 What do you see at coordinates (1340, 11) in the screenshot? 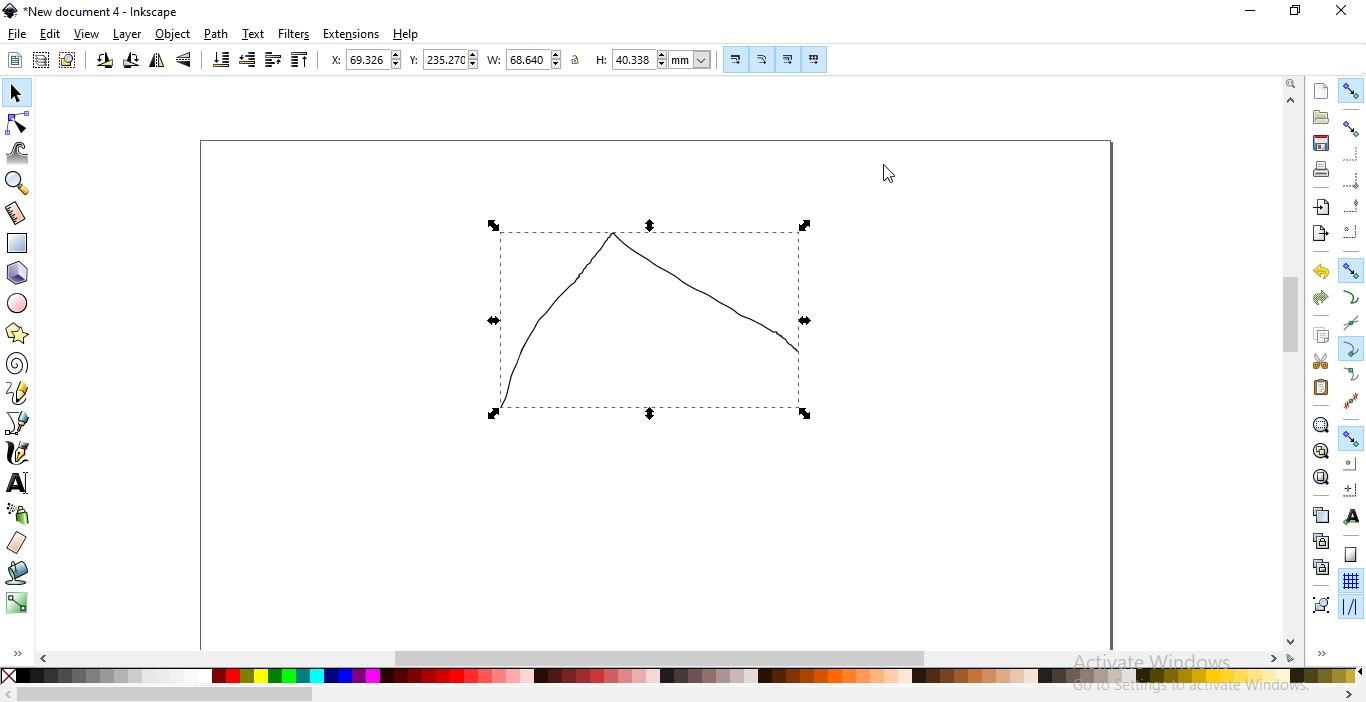
I see `close` at bounding box center [1340, 11].